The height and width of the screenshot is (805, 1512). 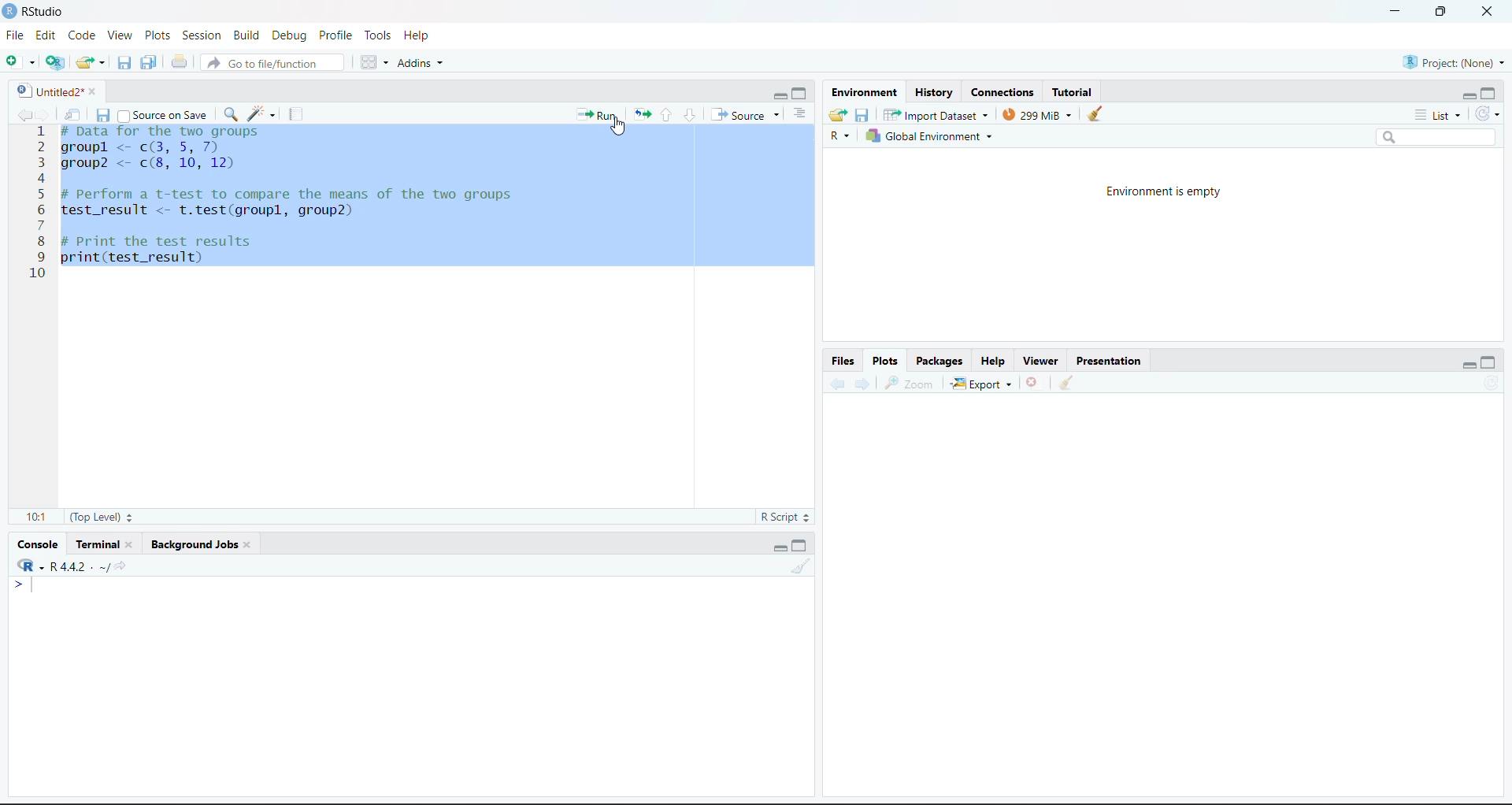 I want to click on Terminal, so click(x=96, y=544).